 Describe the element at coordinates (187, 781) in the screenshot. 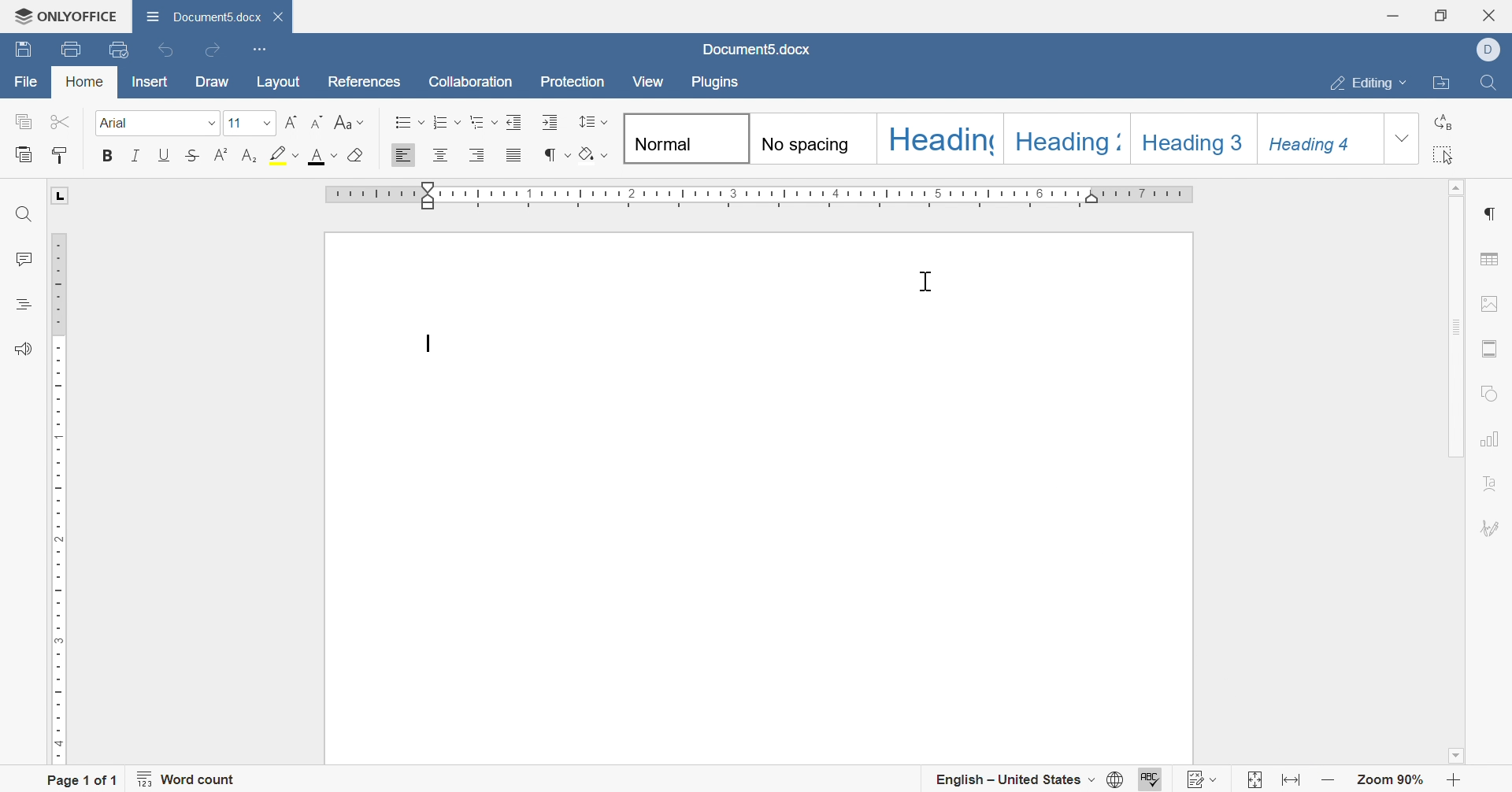

I see `word count` at that location.